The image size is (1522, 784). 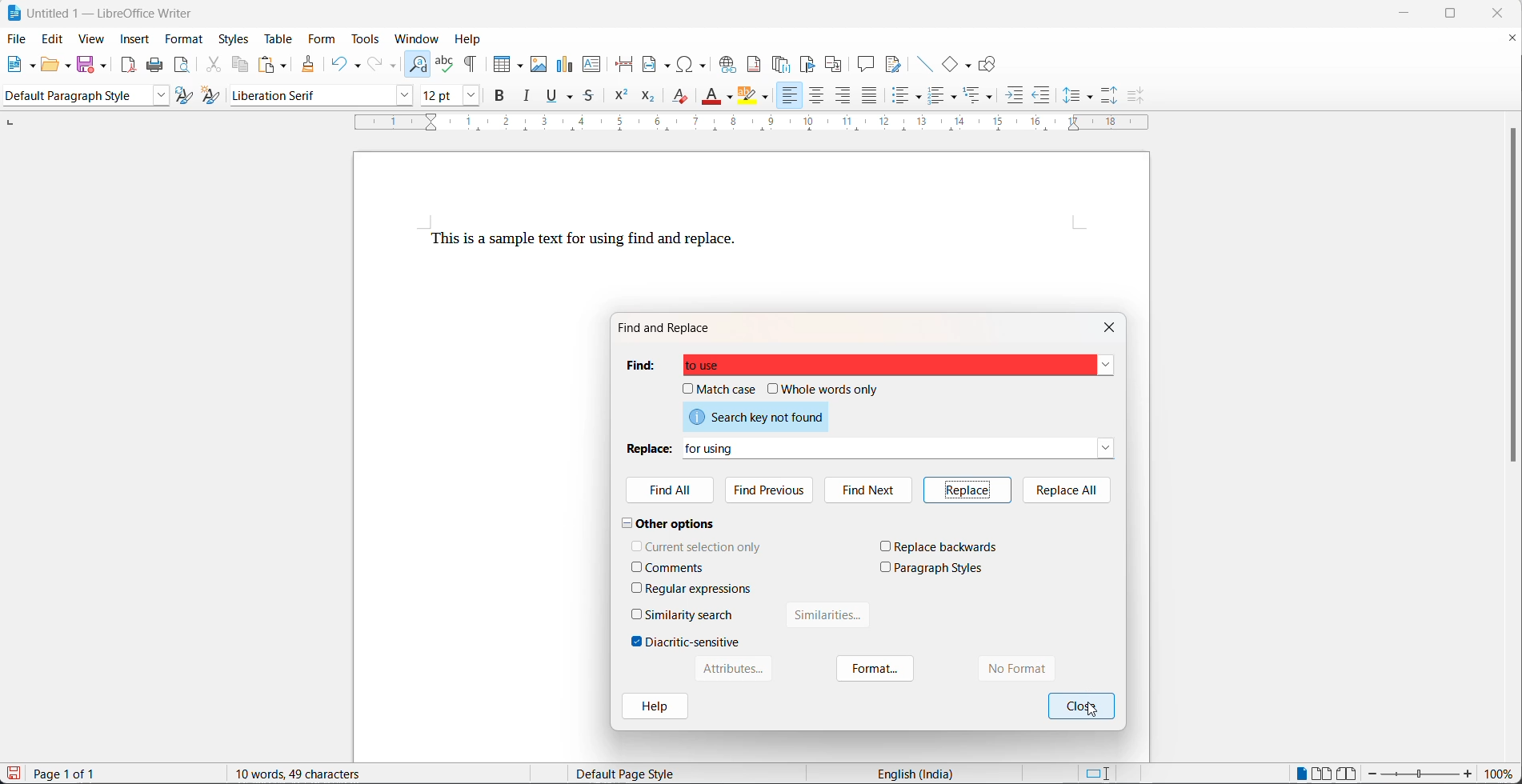 What do you see at coordinates (712, 95) in the screenshot?
I see `font color` at bounding box center [712, 95].